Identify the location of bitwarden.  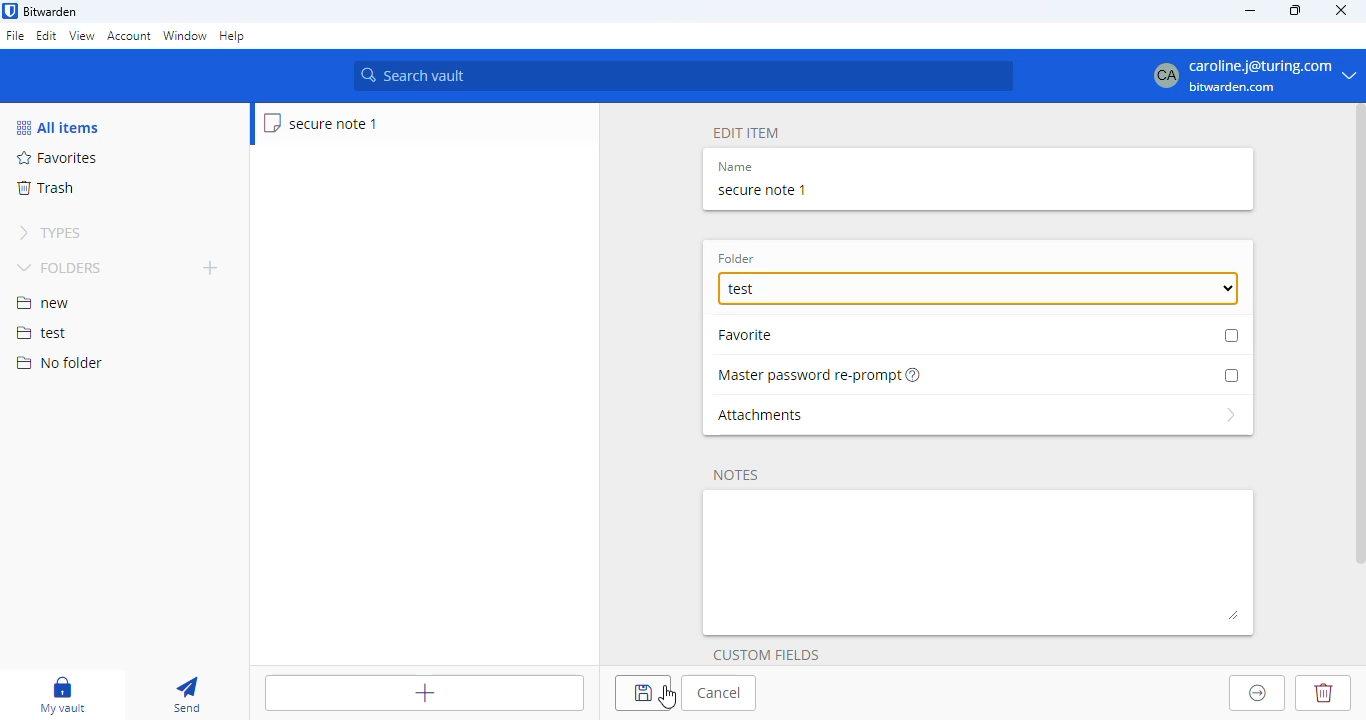
(51, 12).